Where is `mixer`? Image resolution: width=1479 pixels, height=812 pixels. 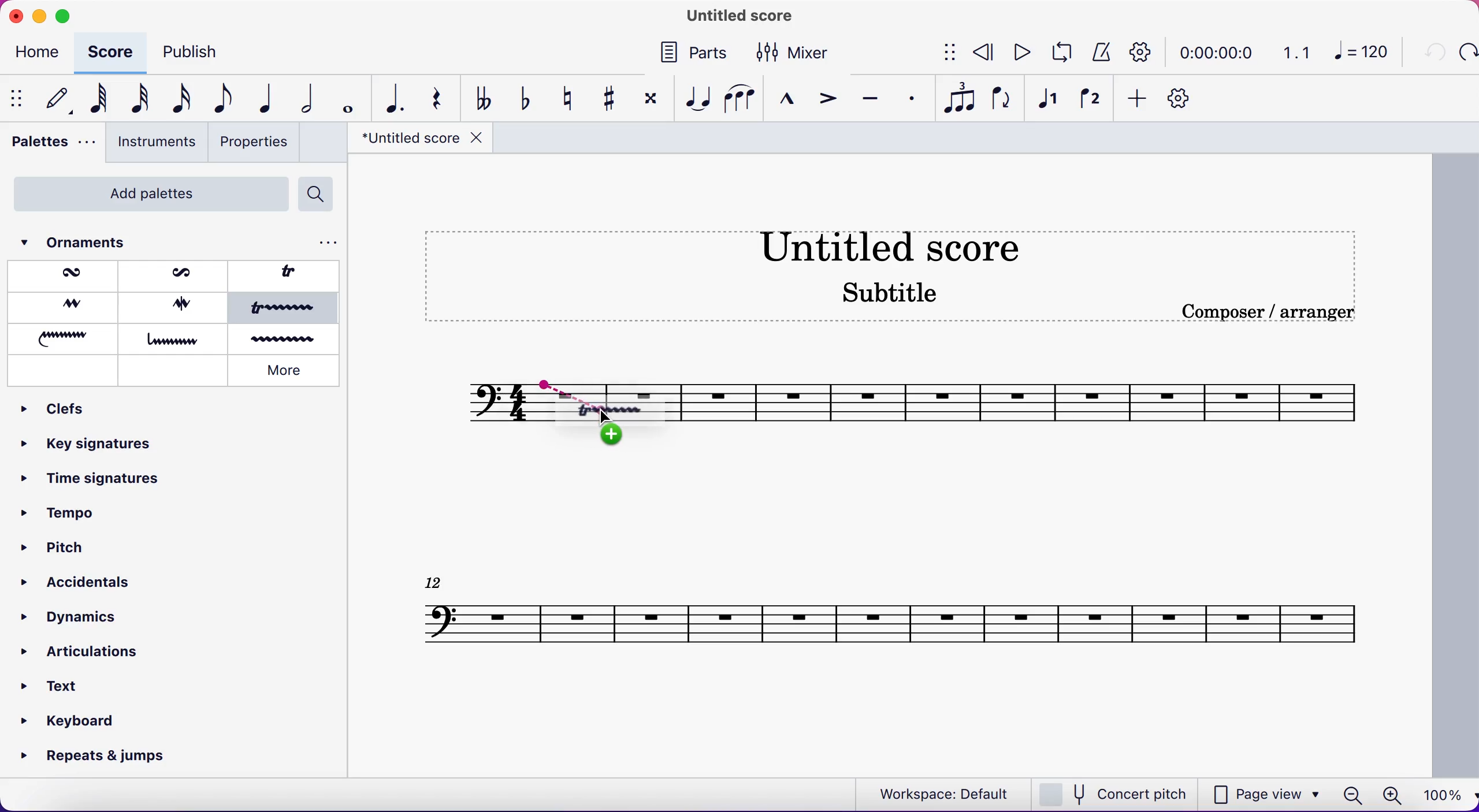
mixer is located at coordinates (801, 52).